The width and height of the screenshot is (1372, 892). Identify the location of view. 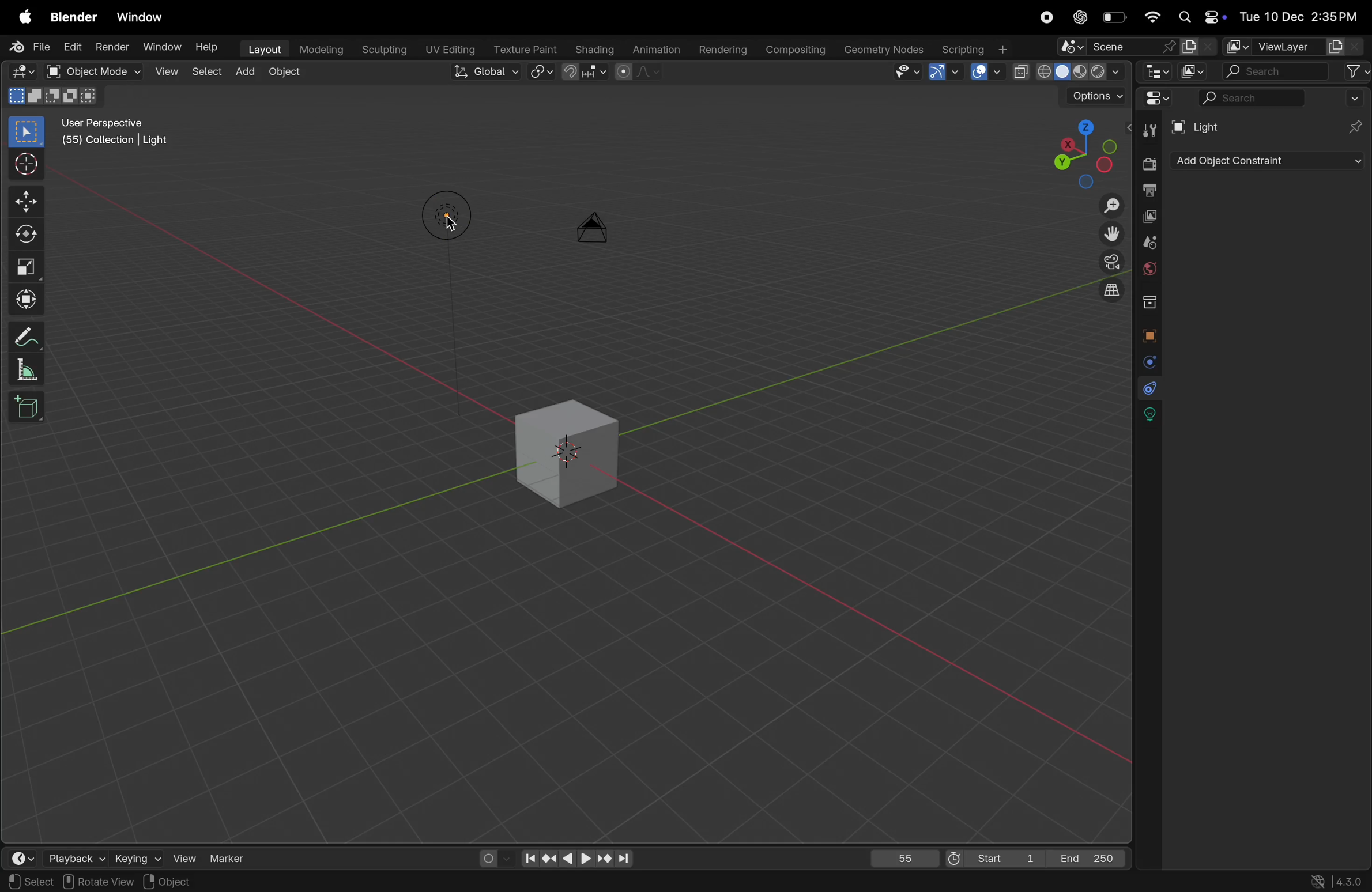
(165, 73).